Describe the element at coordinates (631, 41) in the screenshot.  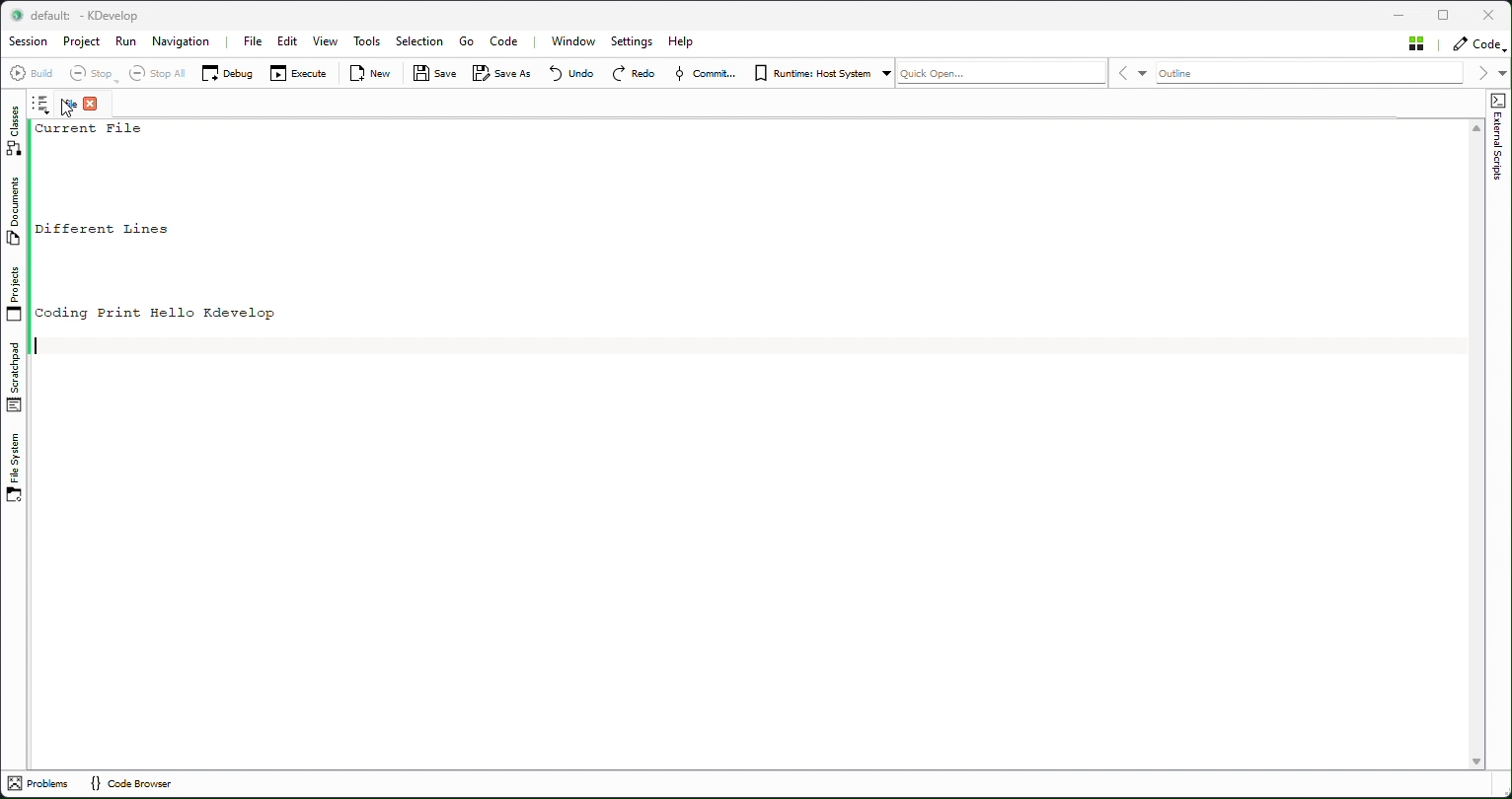
I see `Settings` at that location.